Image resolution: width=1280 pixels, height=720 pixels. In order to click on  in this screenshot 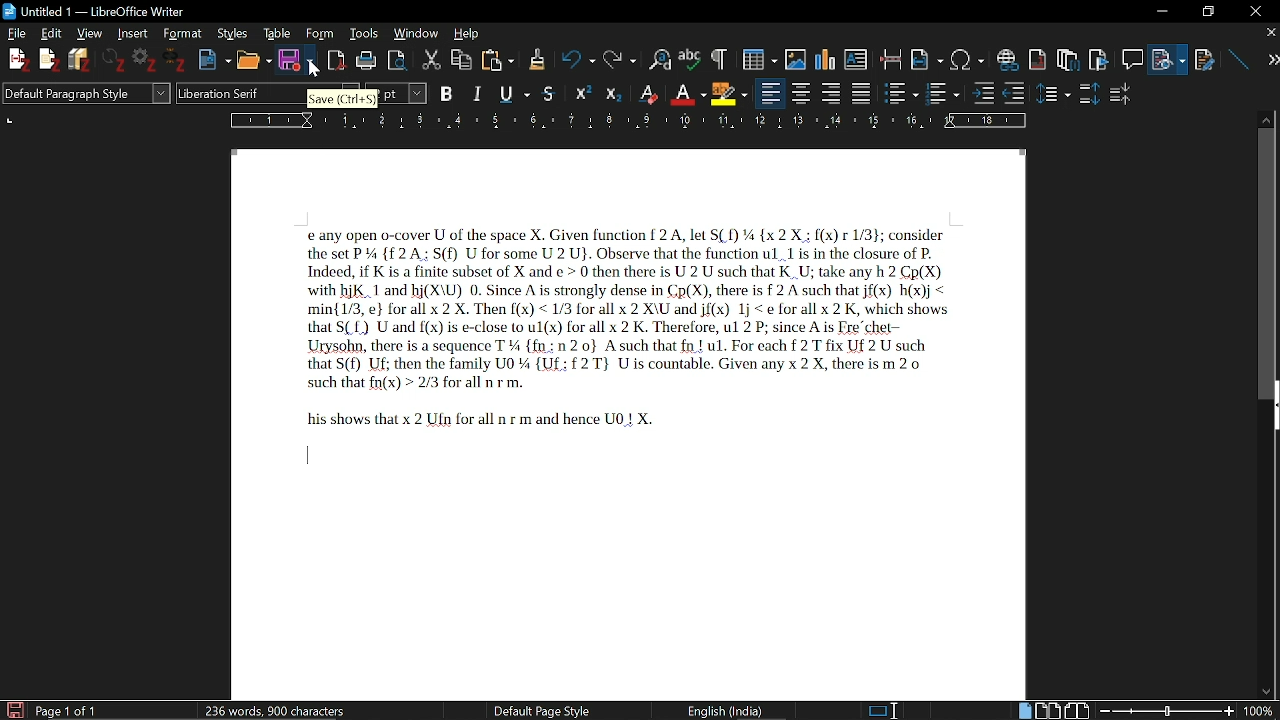, I will do `click(717, 58)`.